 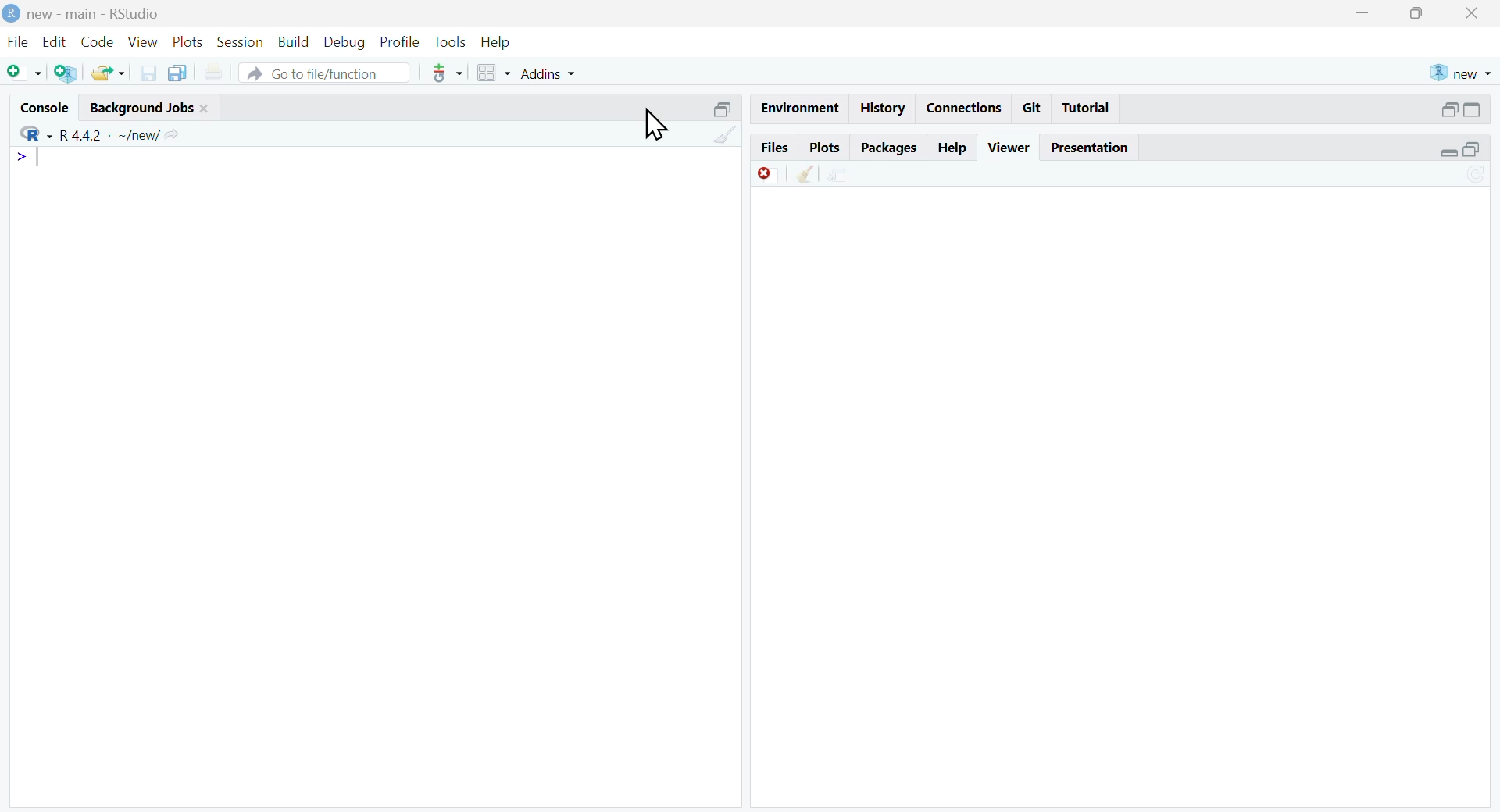 I want to click on save, so click(x=149, y=73).